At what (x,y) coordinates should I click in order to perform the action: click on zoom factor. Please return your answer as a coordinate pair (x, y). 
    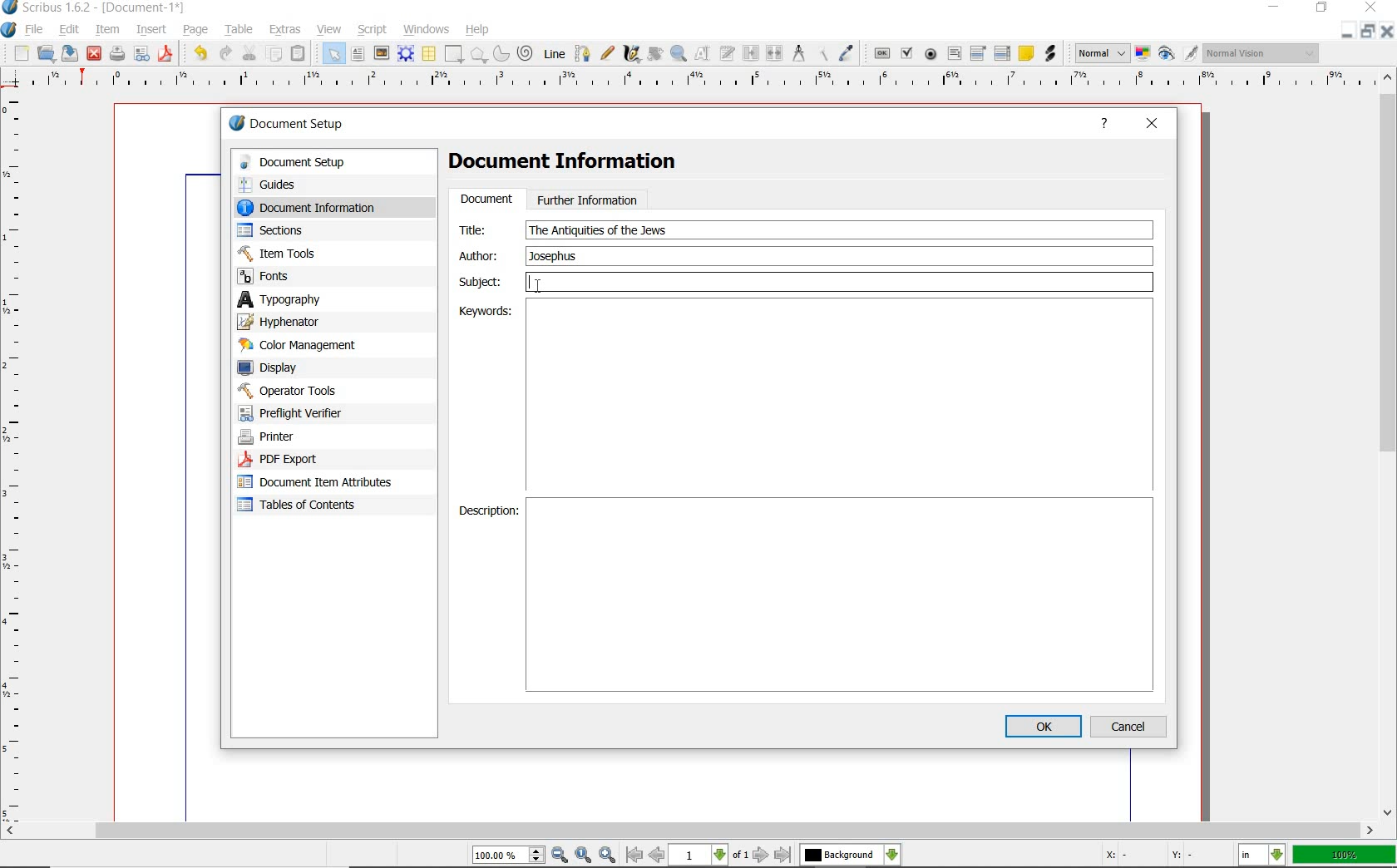
    Looking at the image, I should click on (1343, 856).